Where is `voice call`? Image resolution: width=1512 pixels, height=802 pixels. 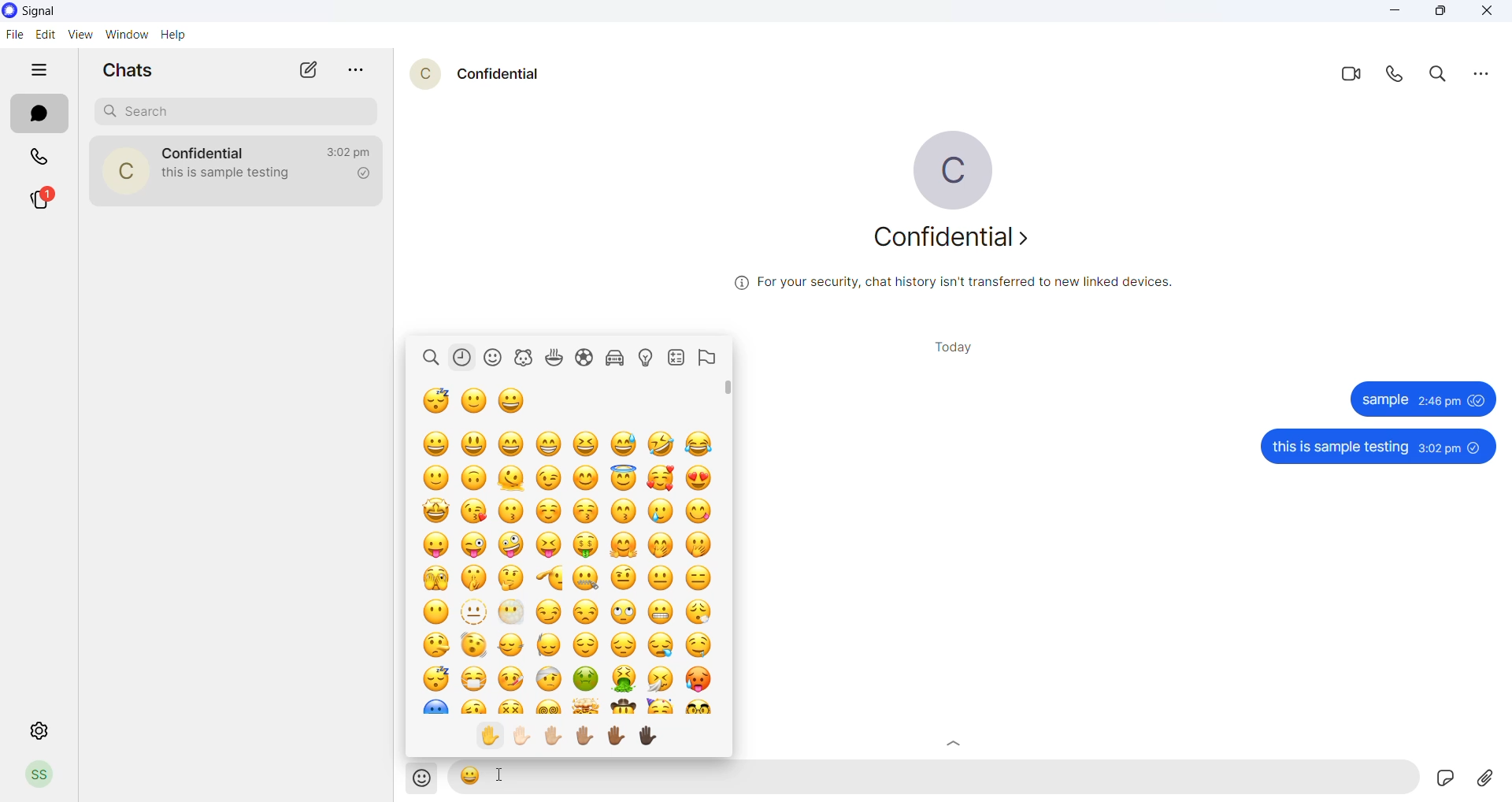 voice call is located at coordinates (1395, 76).